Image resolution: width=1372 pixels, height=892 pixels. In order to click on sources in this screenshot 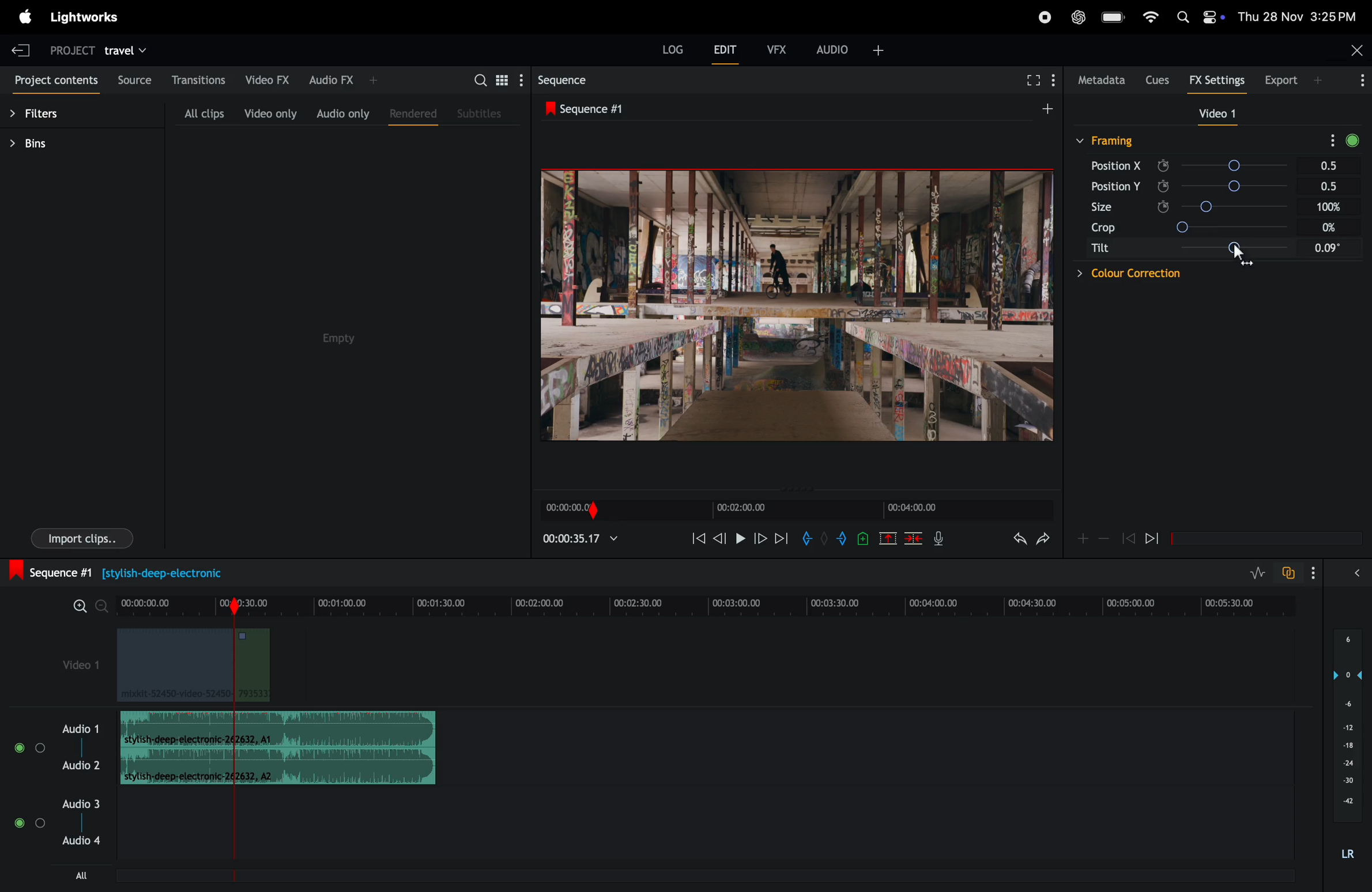, I will do `click(136, 80)`.